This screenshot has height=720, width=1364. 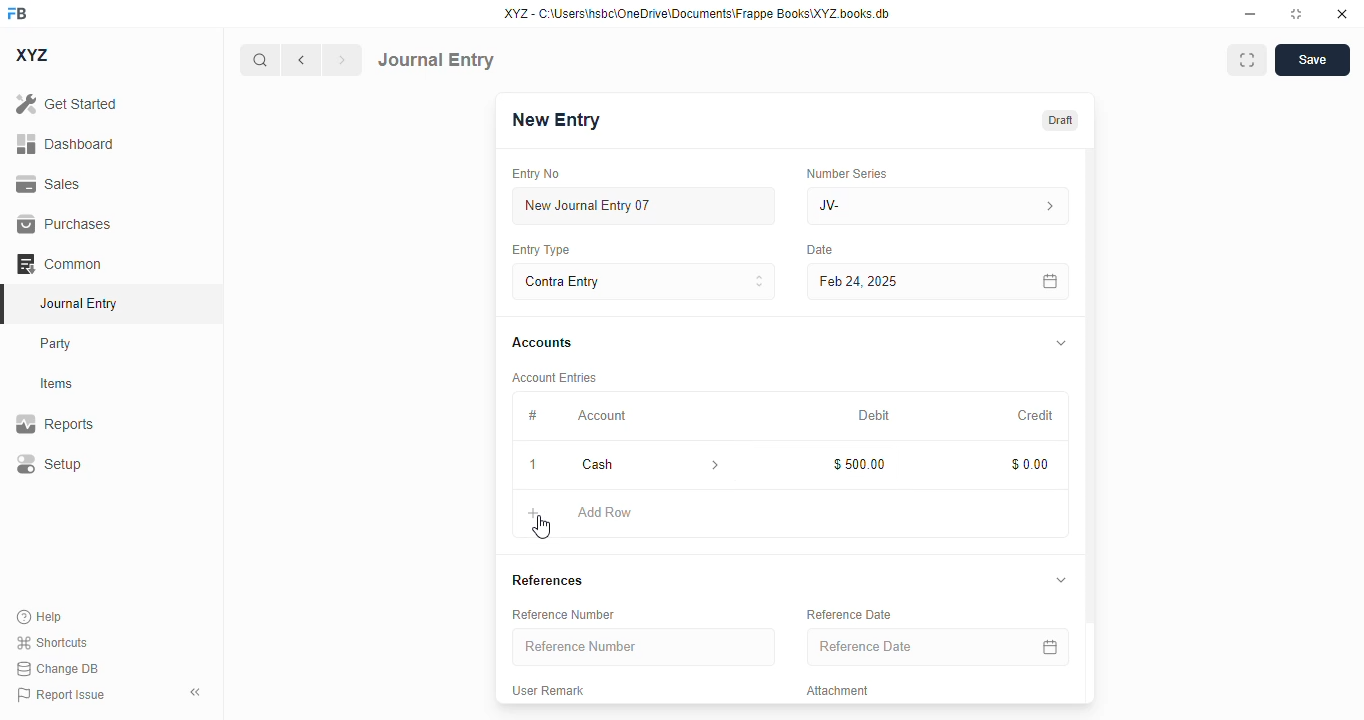 What do you see at coordinates (542, 528) in the screenshot?
I see `cursor` at bounding box center [542, 528].